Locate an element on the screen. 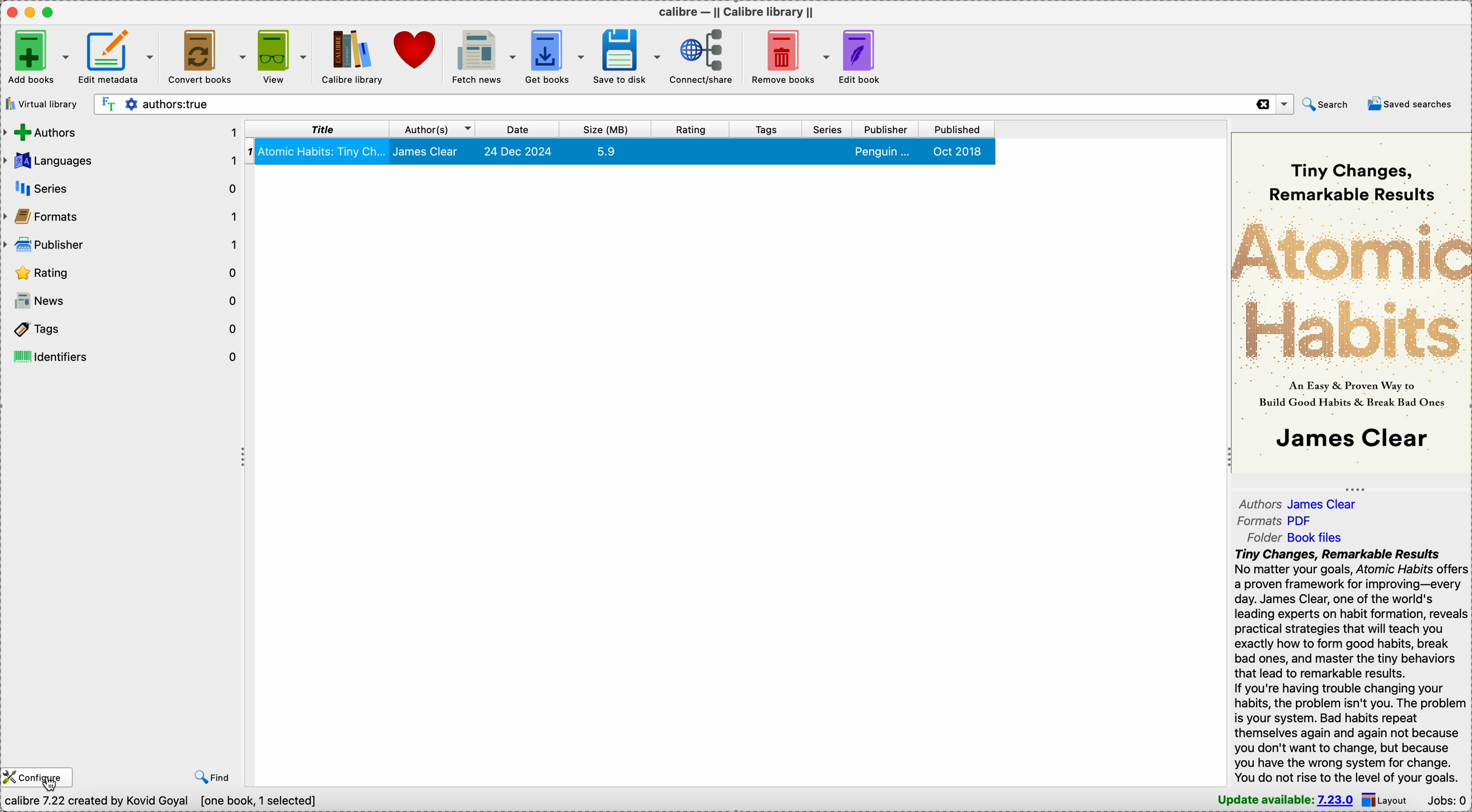 Image resolution: width=1472 pixels, height=812 pixels. news is located at coordinates (122, 300).